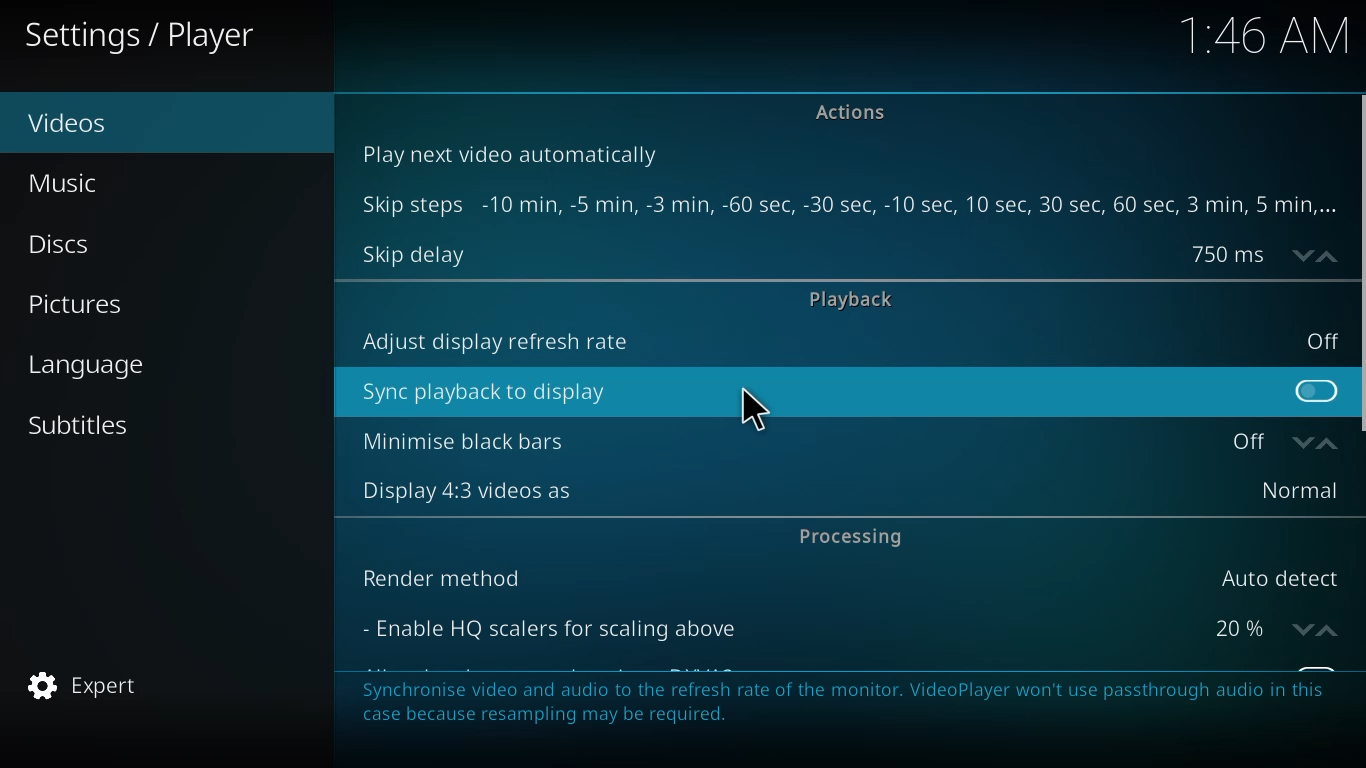  I want to click on delay, so click(1257, 255).